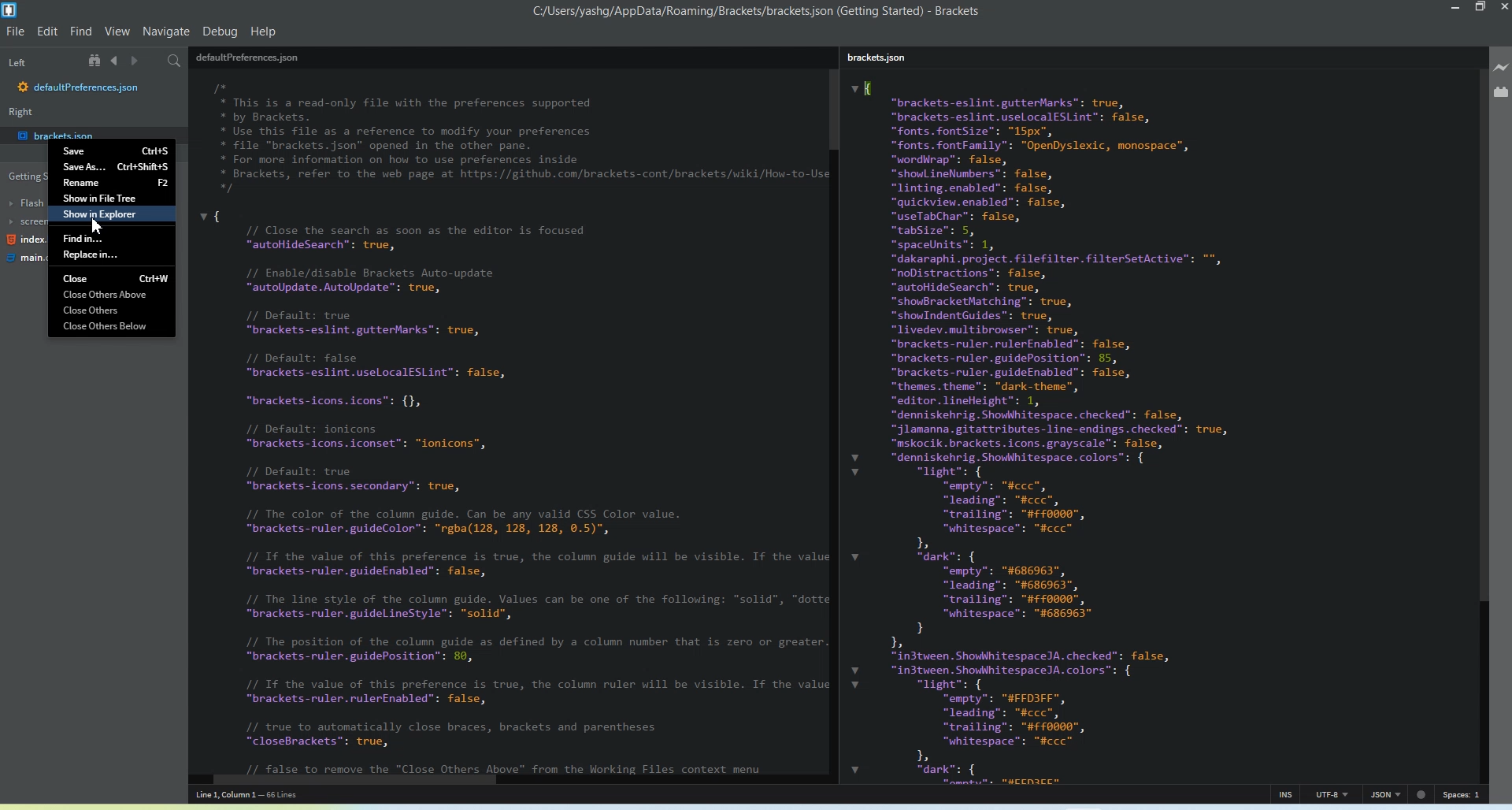 The width and height of the screenshot is (1512, 810). What do you see at coordinates (112, 294) in the screenshot?
I see `Close Others above` at bounding box center [112, 294].